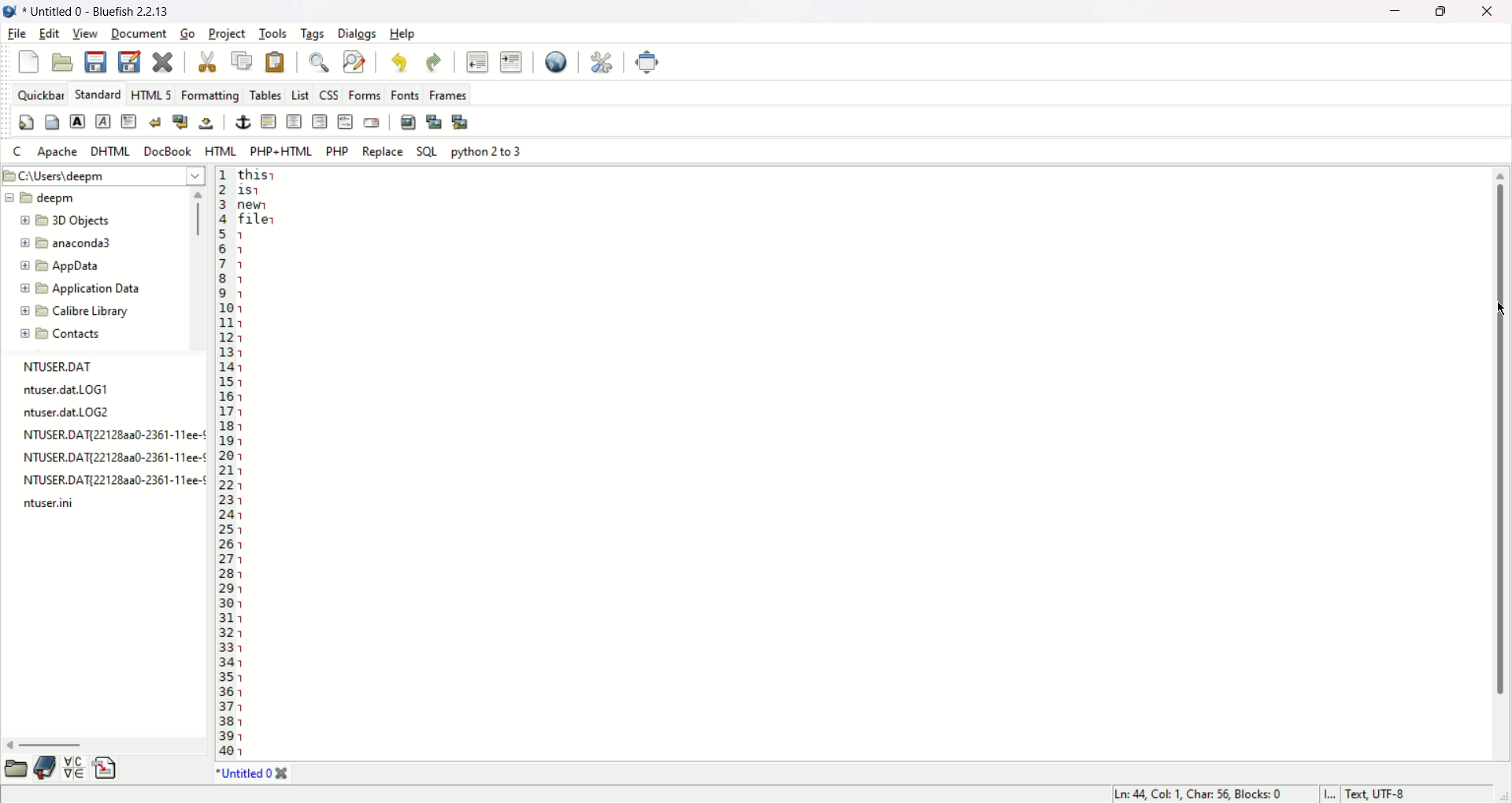 This screenshot has height=803, width=1512. What do you see at coordinates (269, 122) in the screenshot?
I see `horizontal rule` at bounding box center [269, 122].